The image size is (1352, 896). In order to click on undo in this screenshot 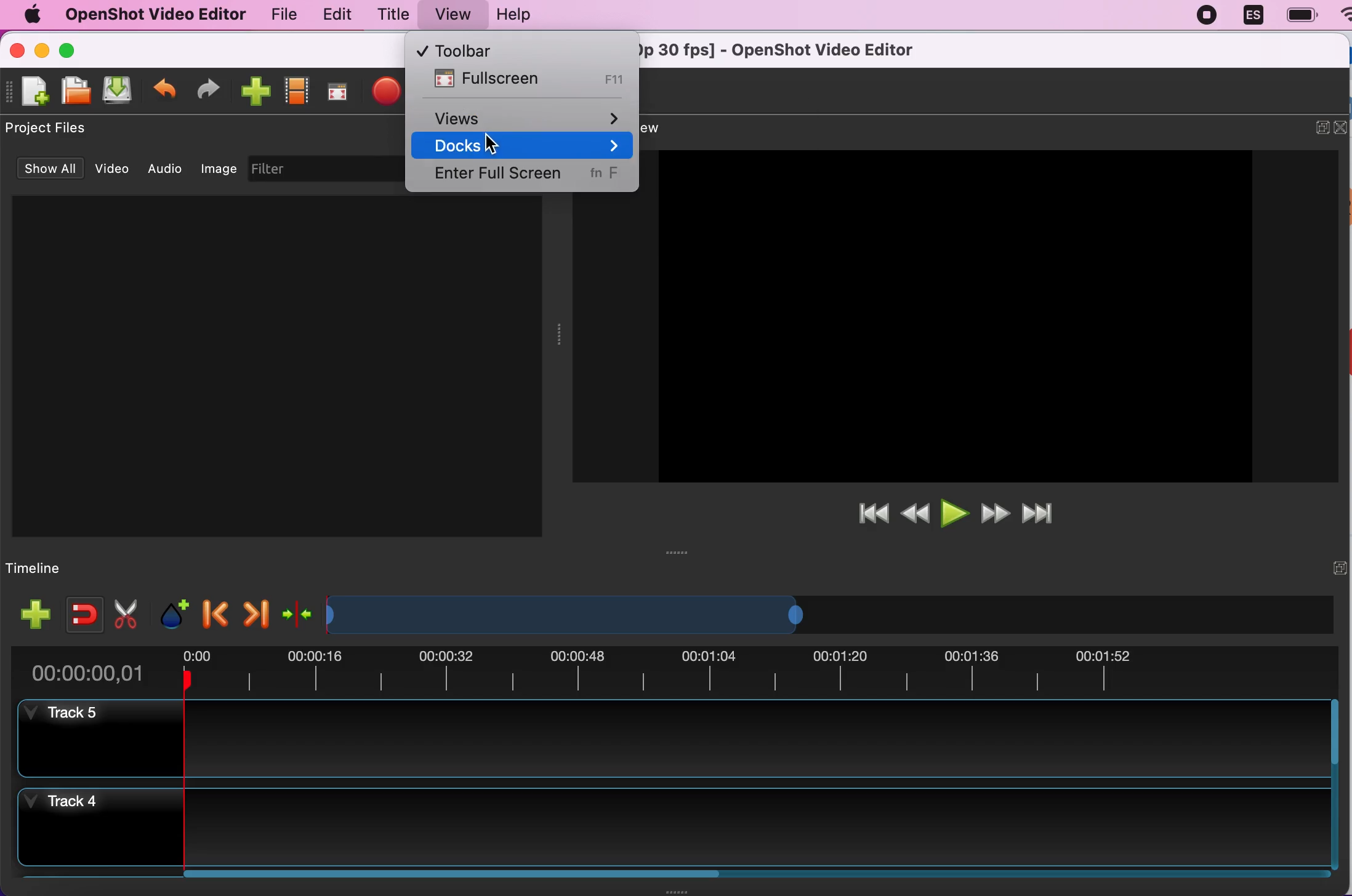, I will do `click(165, 86)`.